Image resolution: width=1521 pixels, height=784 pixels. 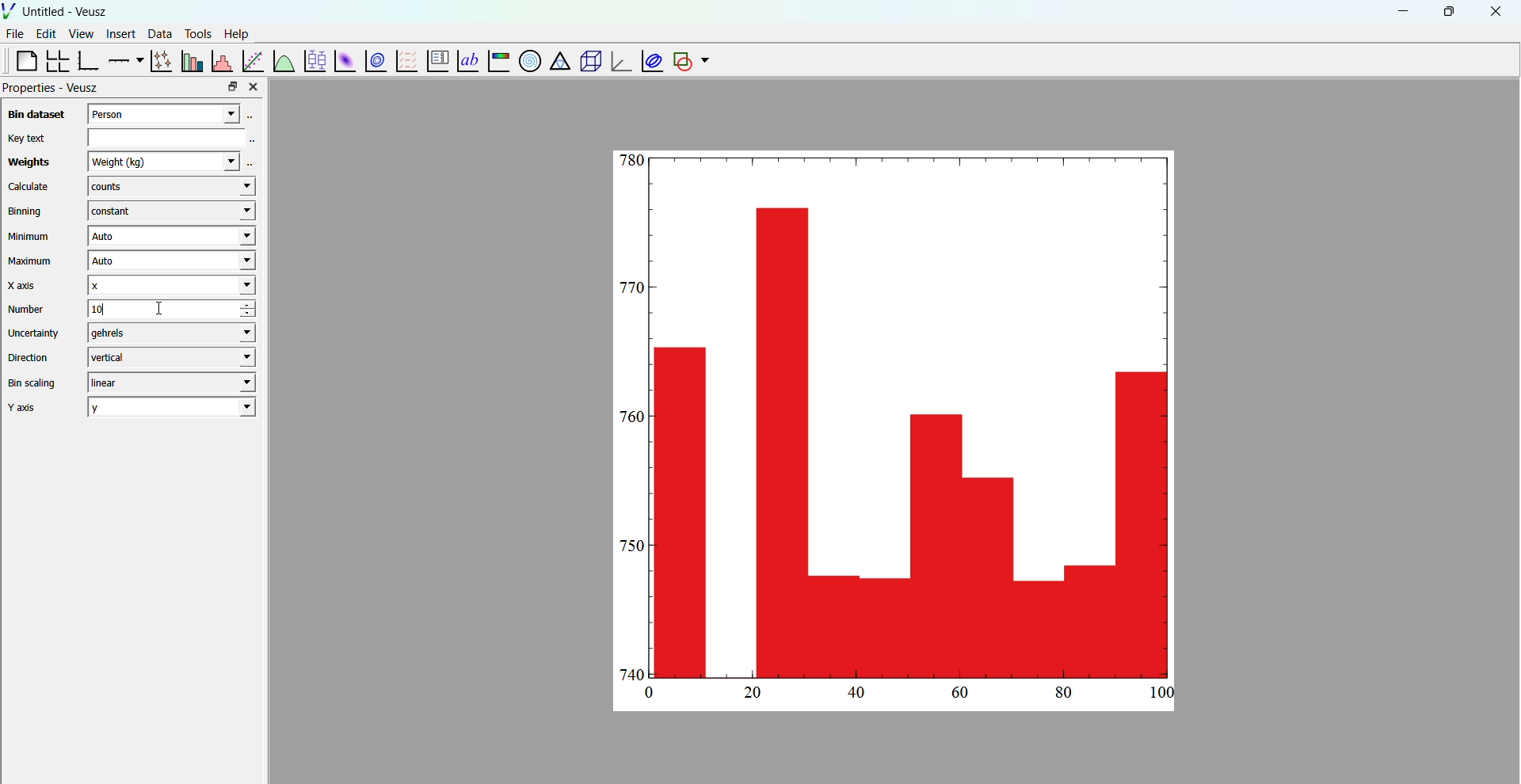 I want to click on Calculate, so click(x=29, y=188).